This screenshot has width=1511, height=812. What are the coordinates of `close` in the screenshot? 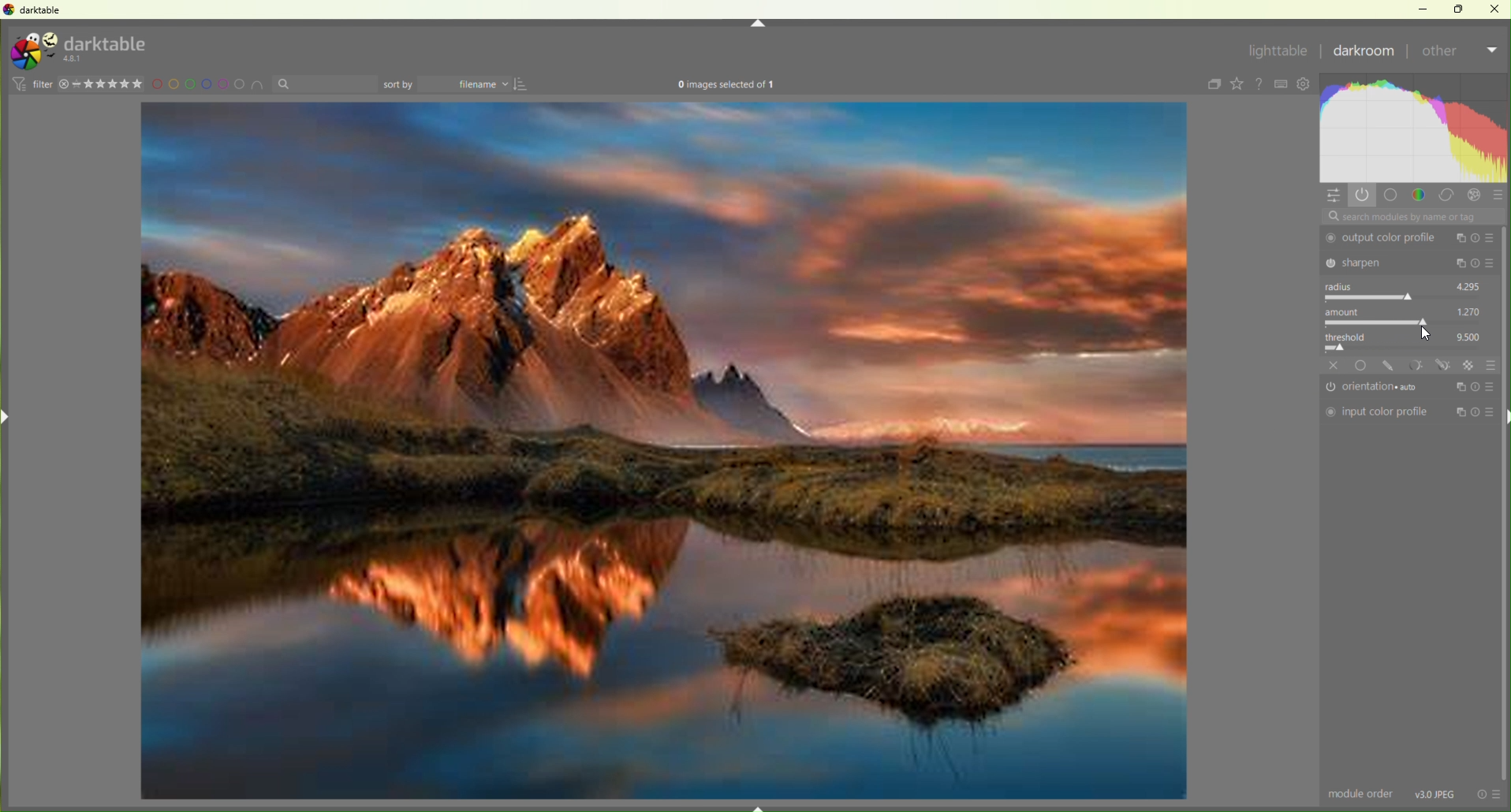 It's located at (1334, 365).